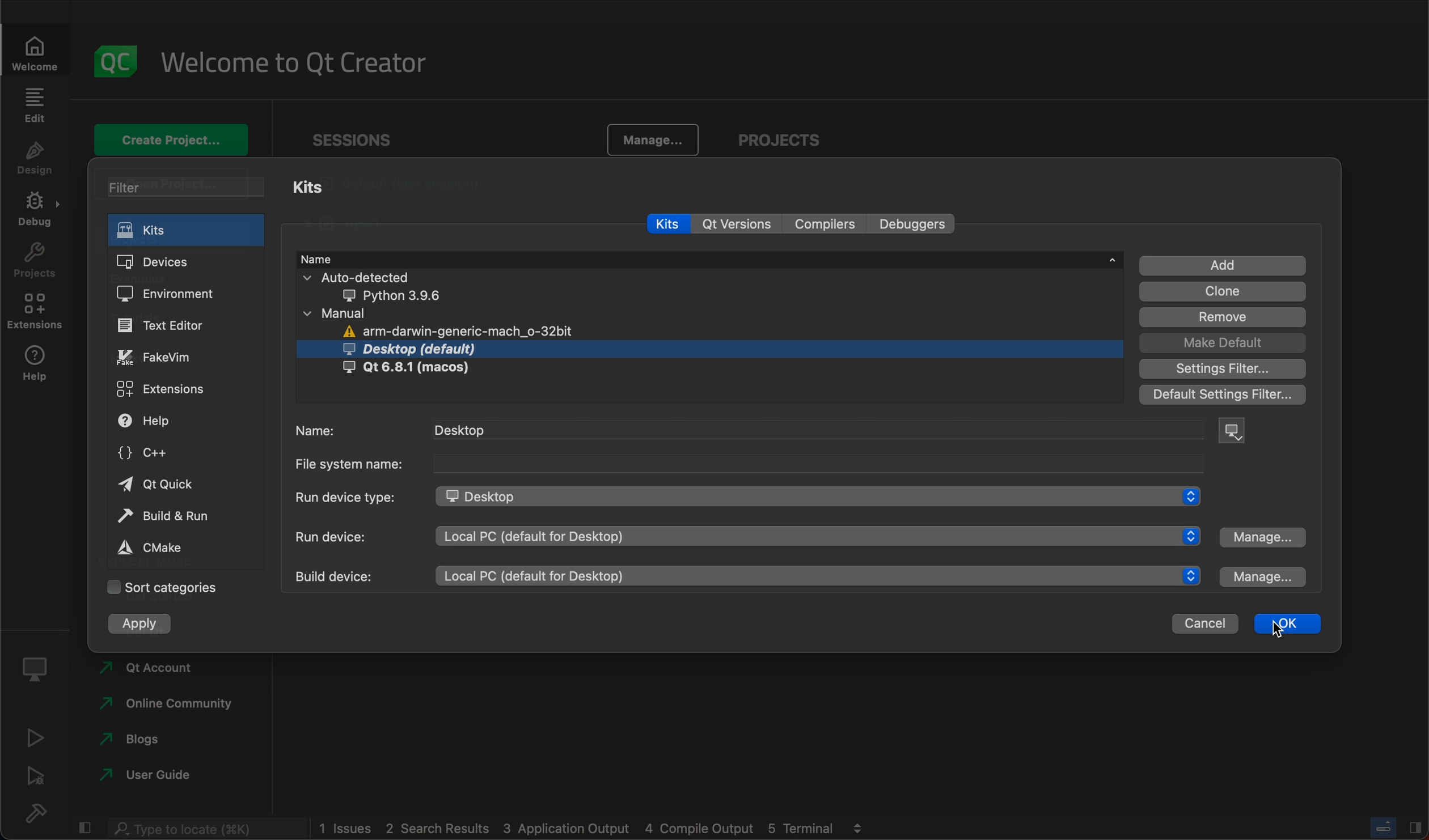 Image resolution: width=1429 pixels, height=840 pixels. I want to click on online community, so click(166, 706).